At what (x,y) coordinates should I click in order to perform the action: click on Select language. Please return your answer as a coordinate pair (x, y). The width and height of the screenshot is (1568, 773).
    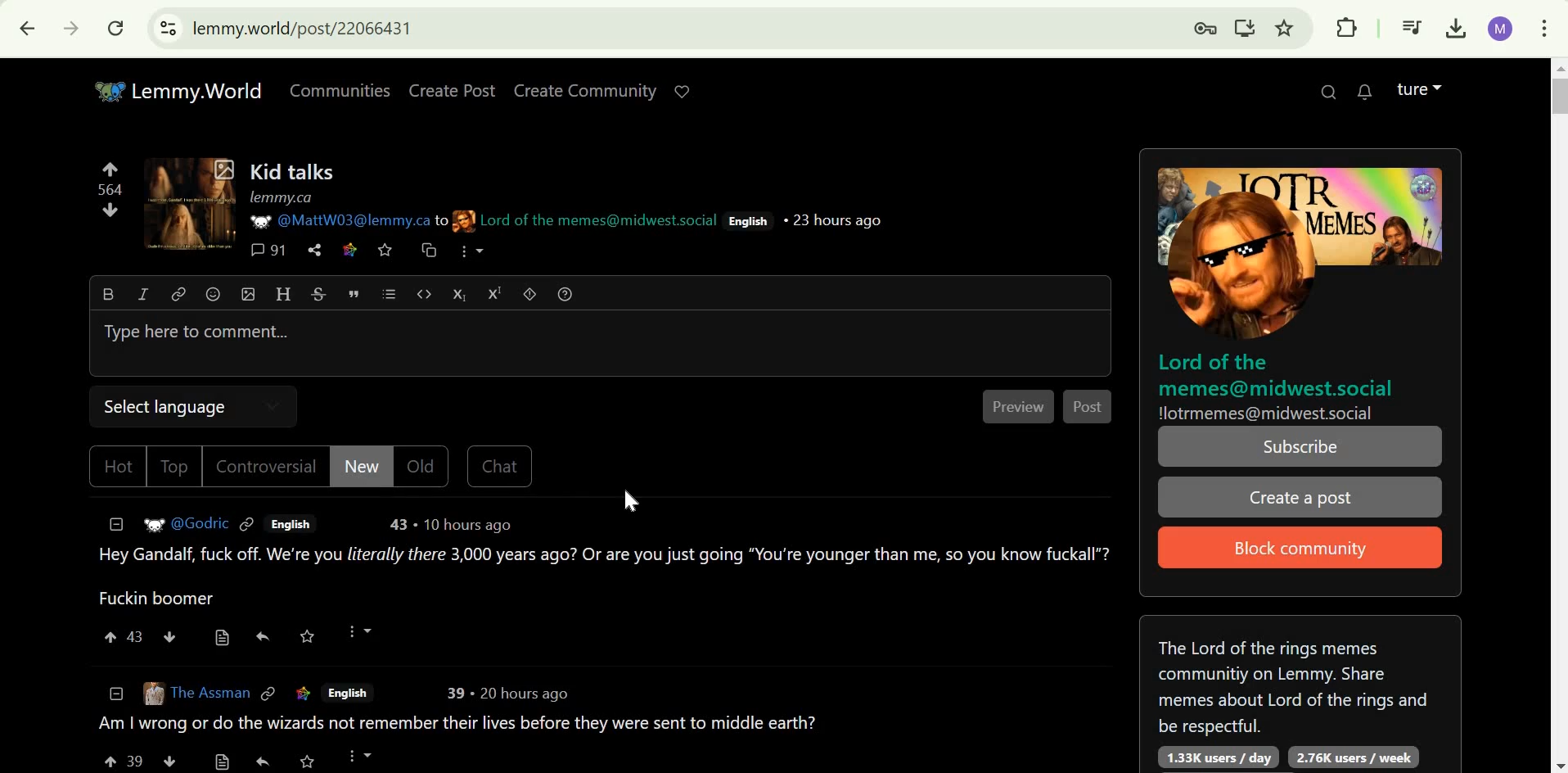
    Looking at the image, I should click on (161, 405).